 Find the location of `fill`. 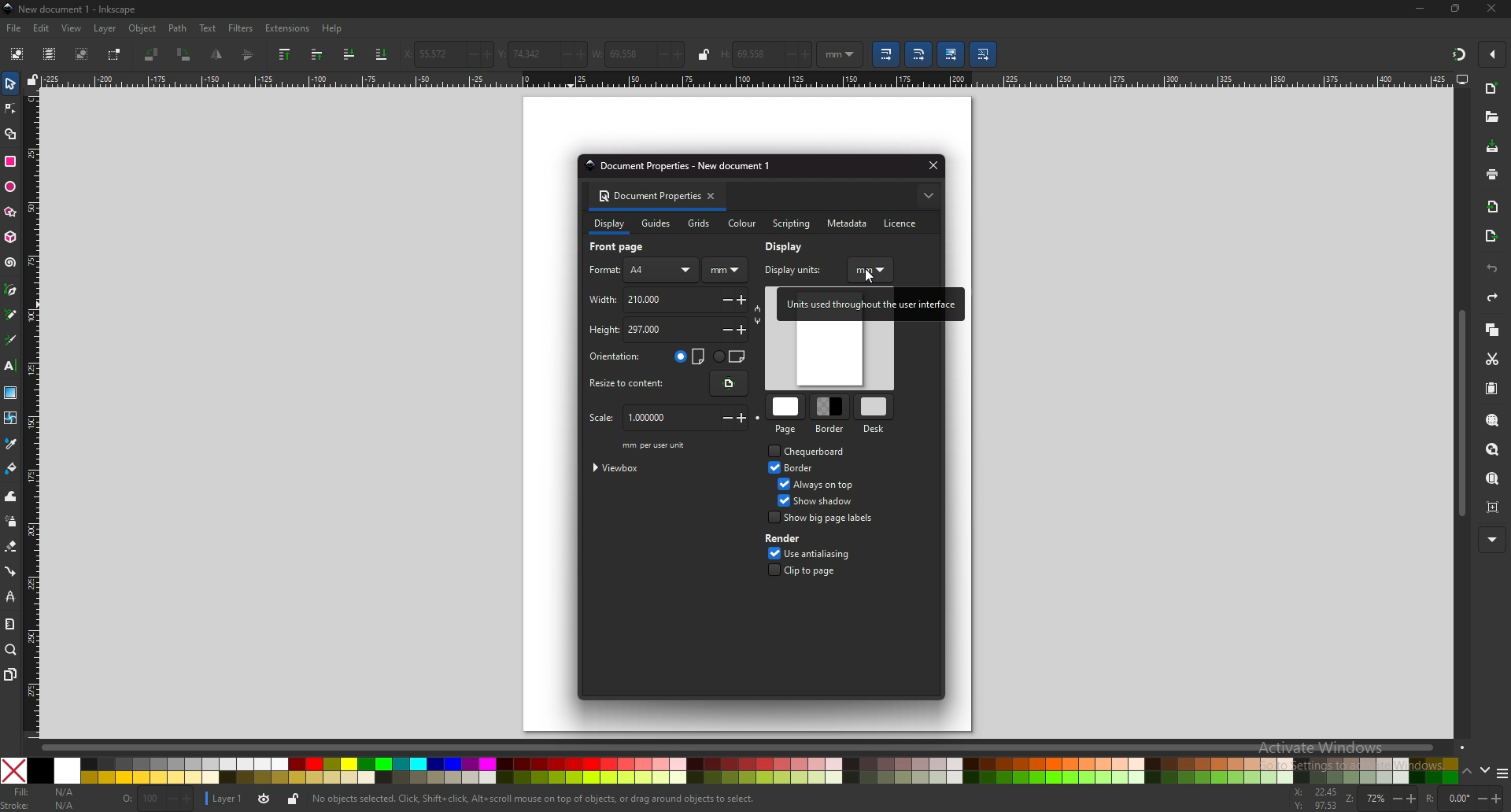

fill is located at coordinates (43, 793).